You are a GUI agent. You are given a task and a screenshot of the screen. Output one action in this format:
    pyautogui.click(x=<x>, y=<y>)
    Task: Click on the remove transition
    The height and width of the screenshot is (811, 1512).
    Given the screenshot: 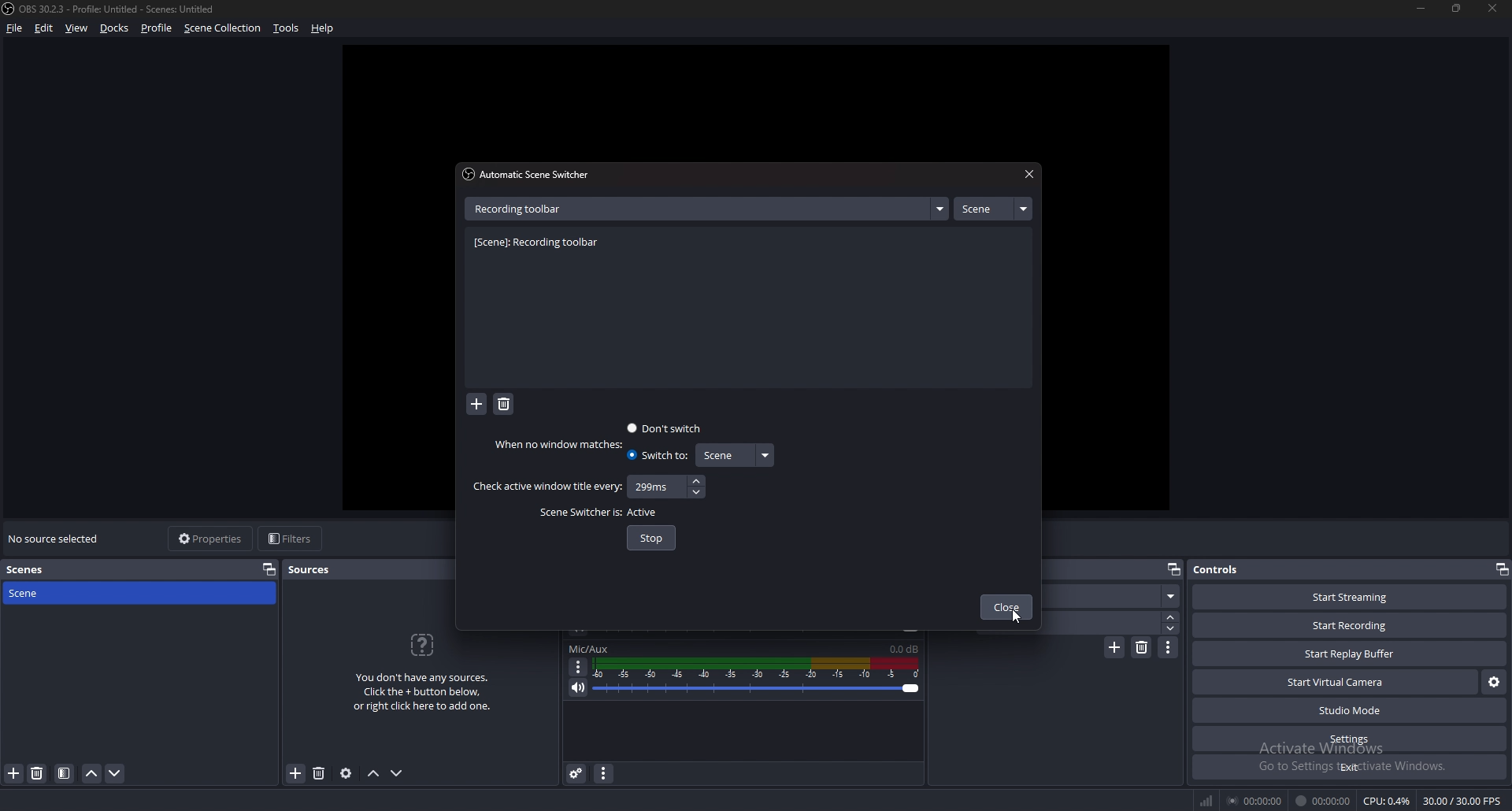 What is the action you would take?
    pyautogui.click(x=1143, y=647)
    